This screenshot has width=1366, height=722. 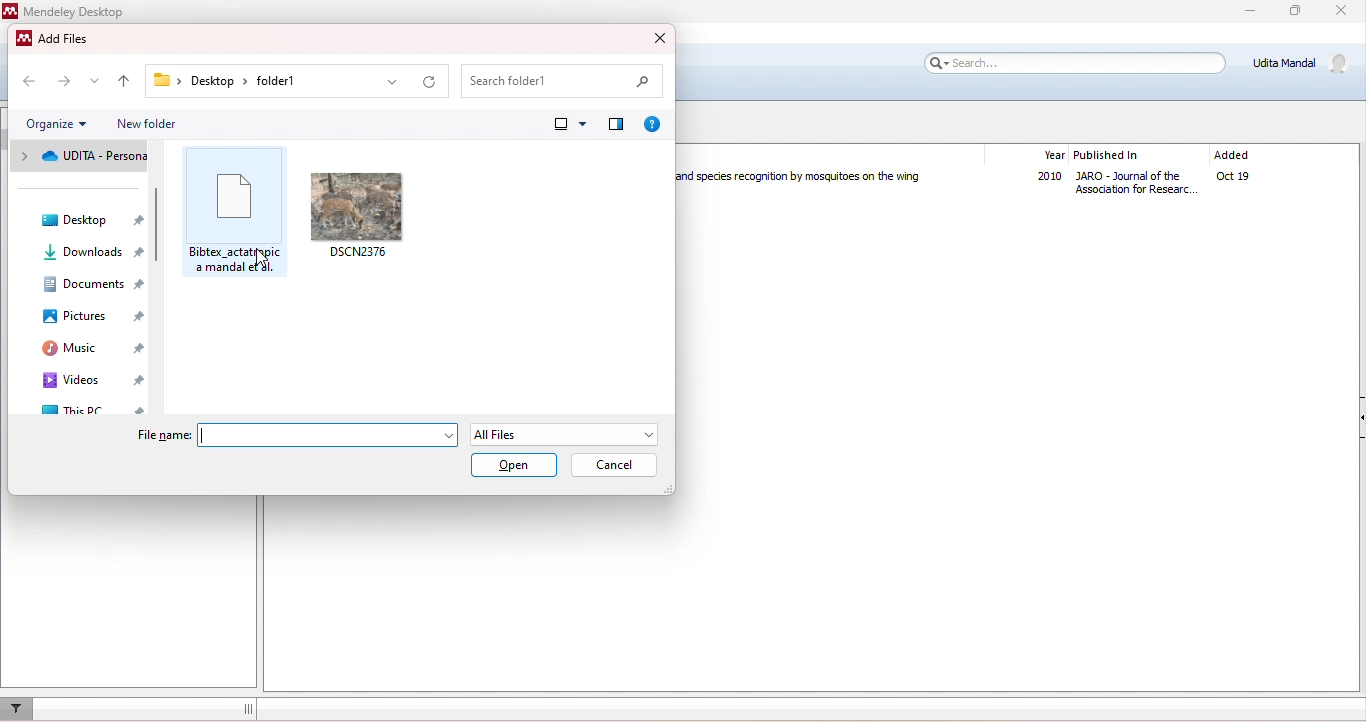 What do you see at coordinates (1073, 65) in the screenshot?
I see `search` at bounding box center [1073, 65].